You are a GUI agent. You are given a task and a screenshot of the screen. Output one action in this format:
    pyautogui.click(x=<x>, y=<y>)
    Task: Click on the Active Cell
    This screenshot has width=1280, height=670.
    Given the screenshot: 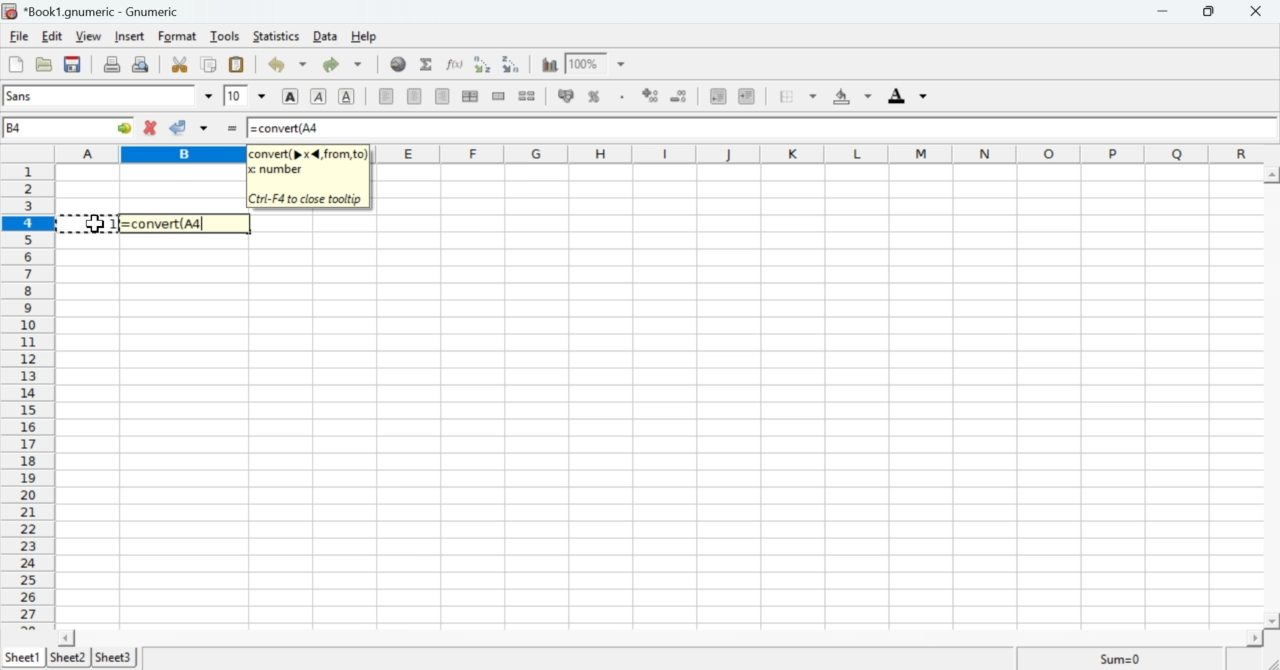 What is the action you would take?
    pyautogui.click(x=67, y=128)
    